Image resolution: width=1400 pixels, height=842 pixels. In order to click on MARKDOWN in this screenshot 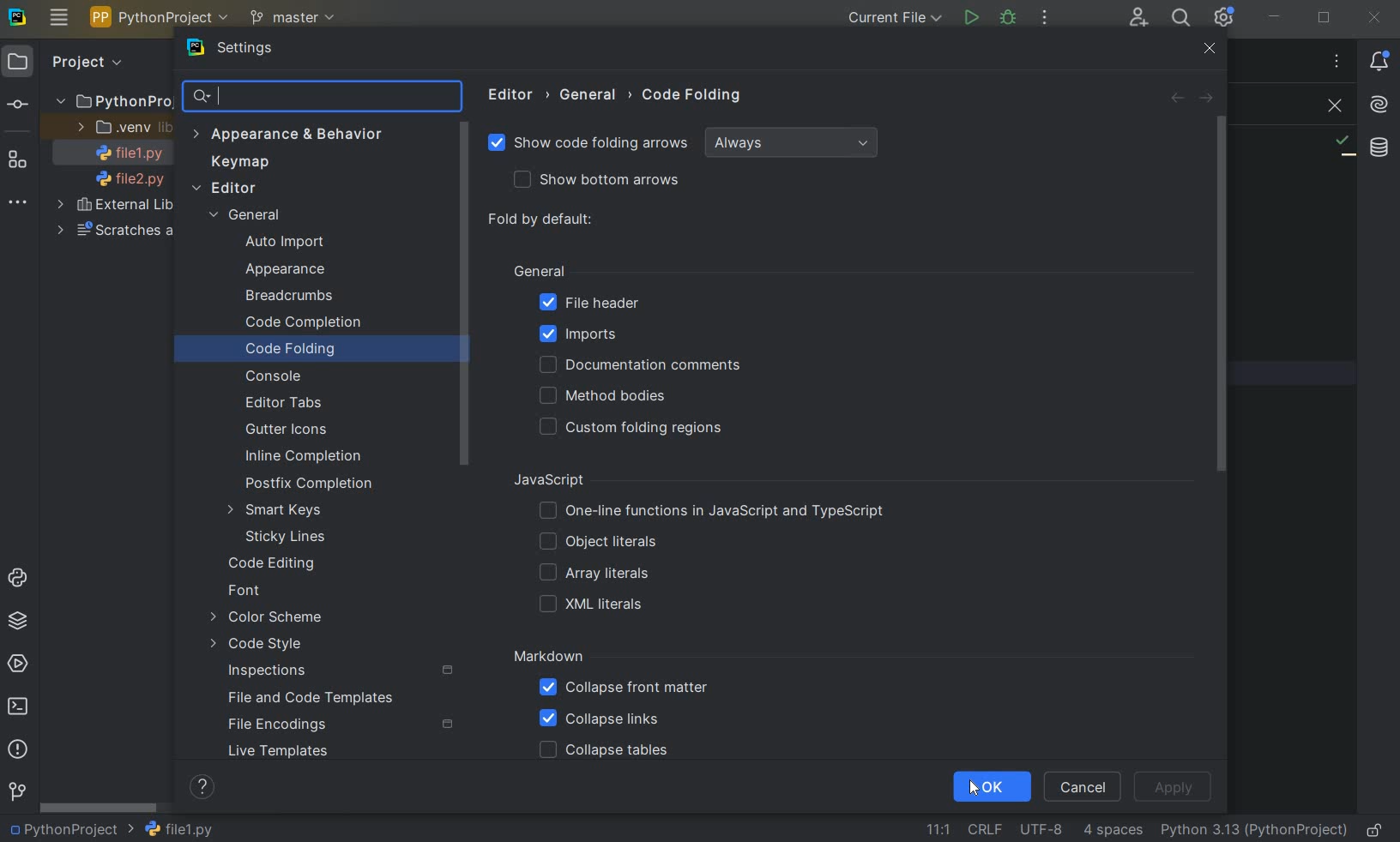, I will do `click(549, 657)`.